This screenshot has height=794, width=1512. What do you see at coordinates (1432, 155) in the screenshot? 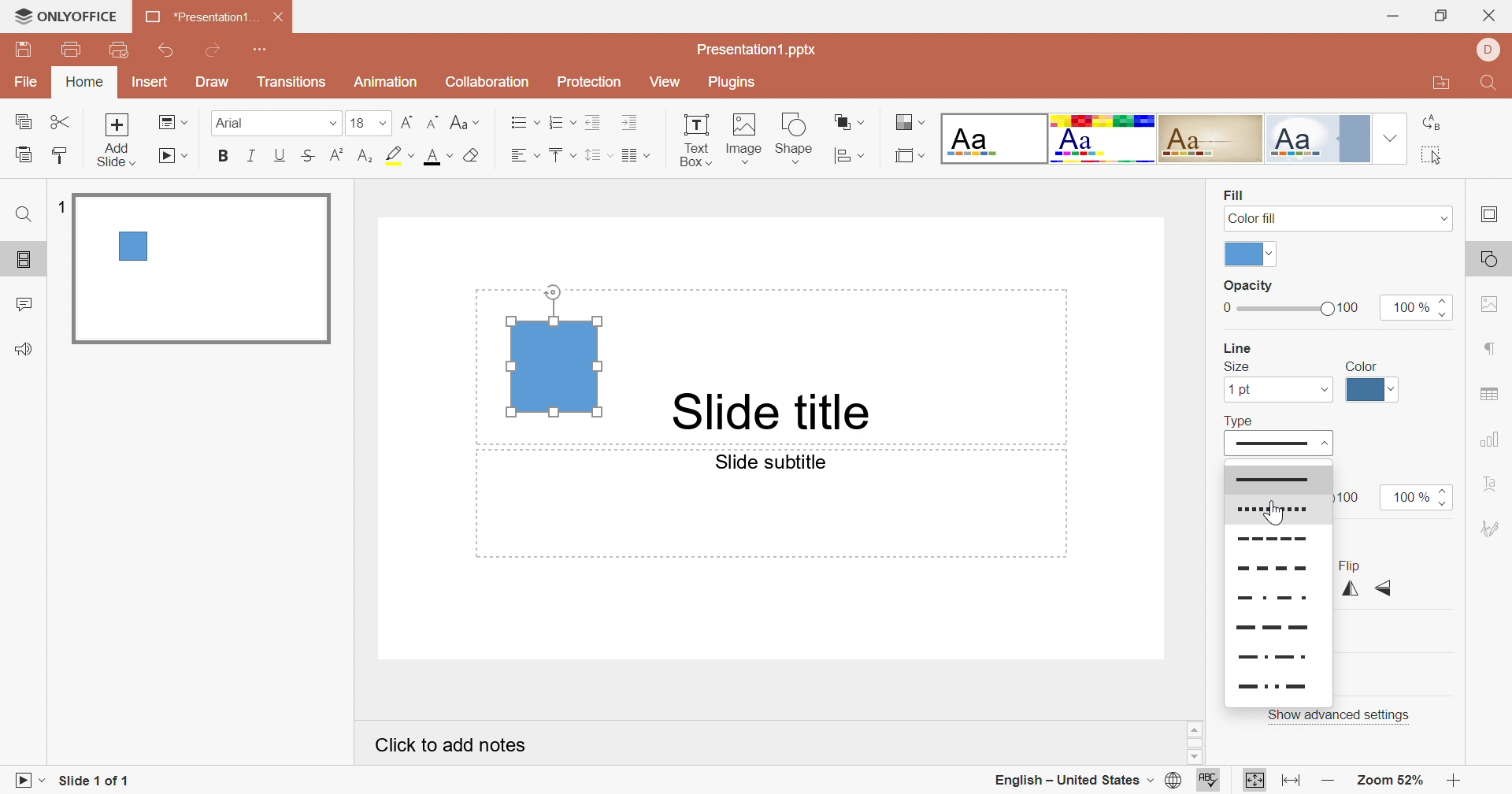
I see `Select All` at bounding box center [1432, 155].